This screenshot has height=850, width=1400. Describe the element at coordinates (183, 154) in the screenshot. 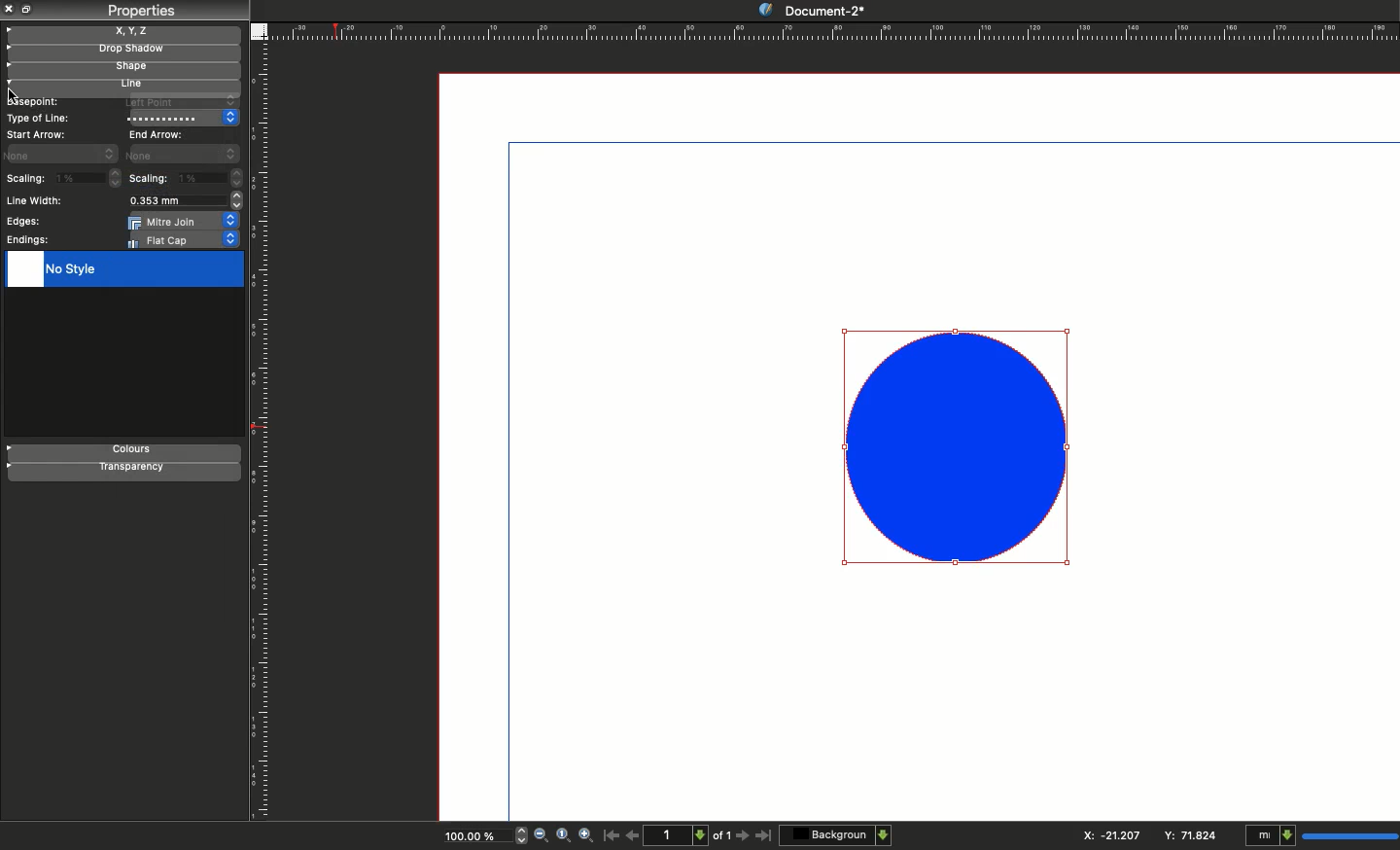

I see `None` at that location.